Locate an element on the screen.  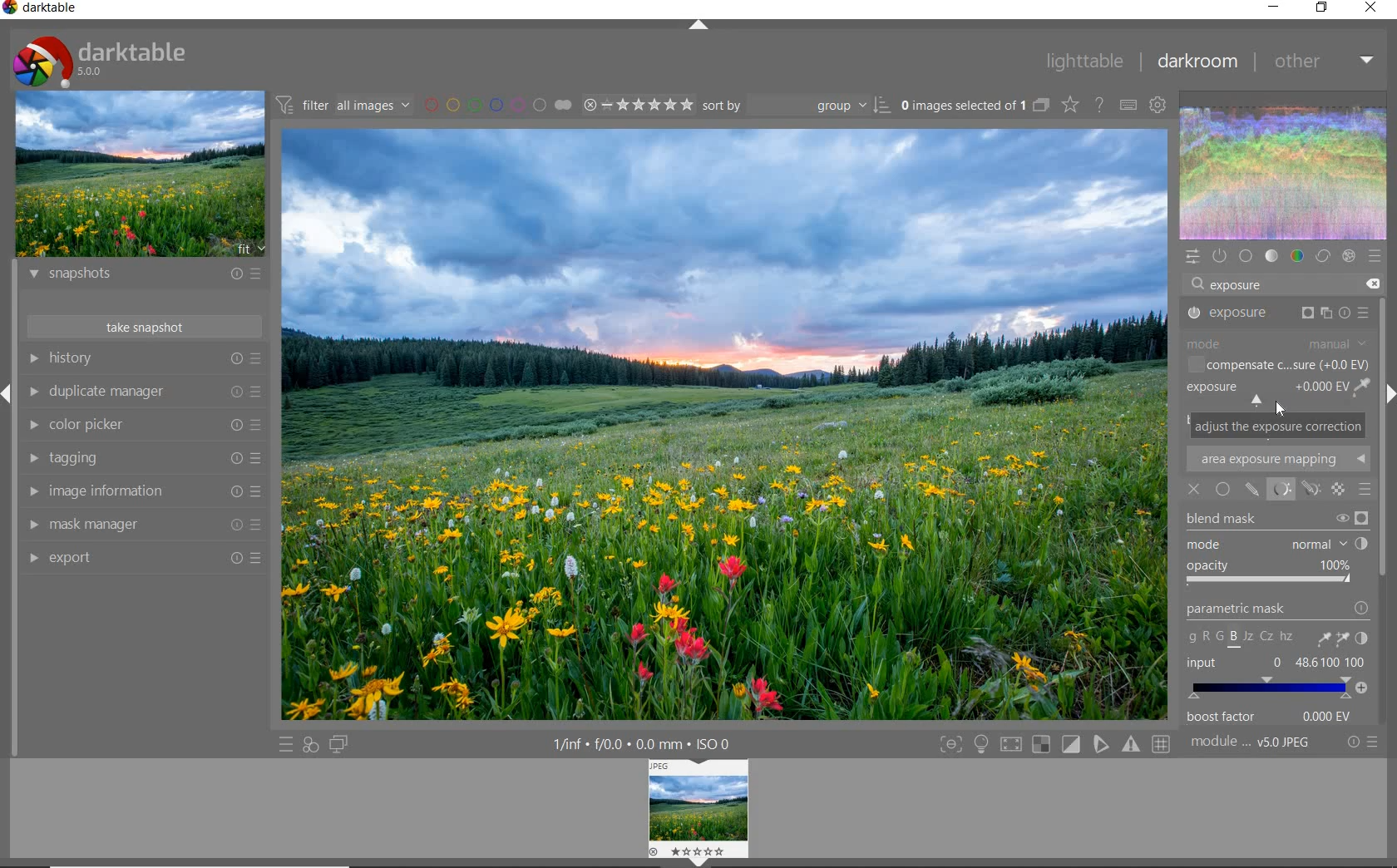
image information is located at coordinates (143, 491).